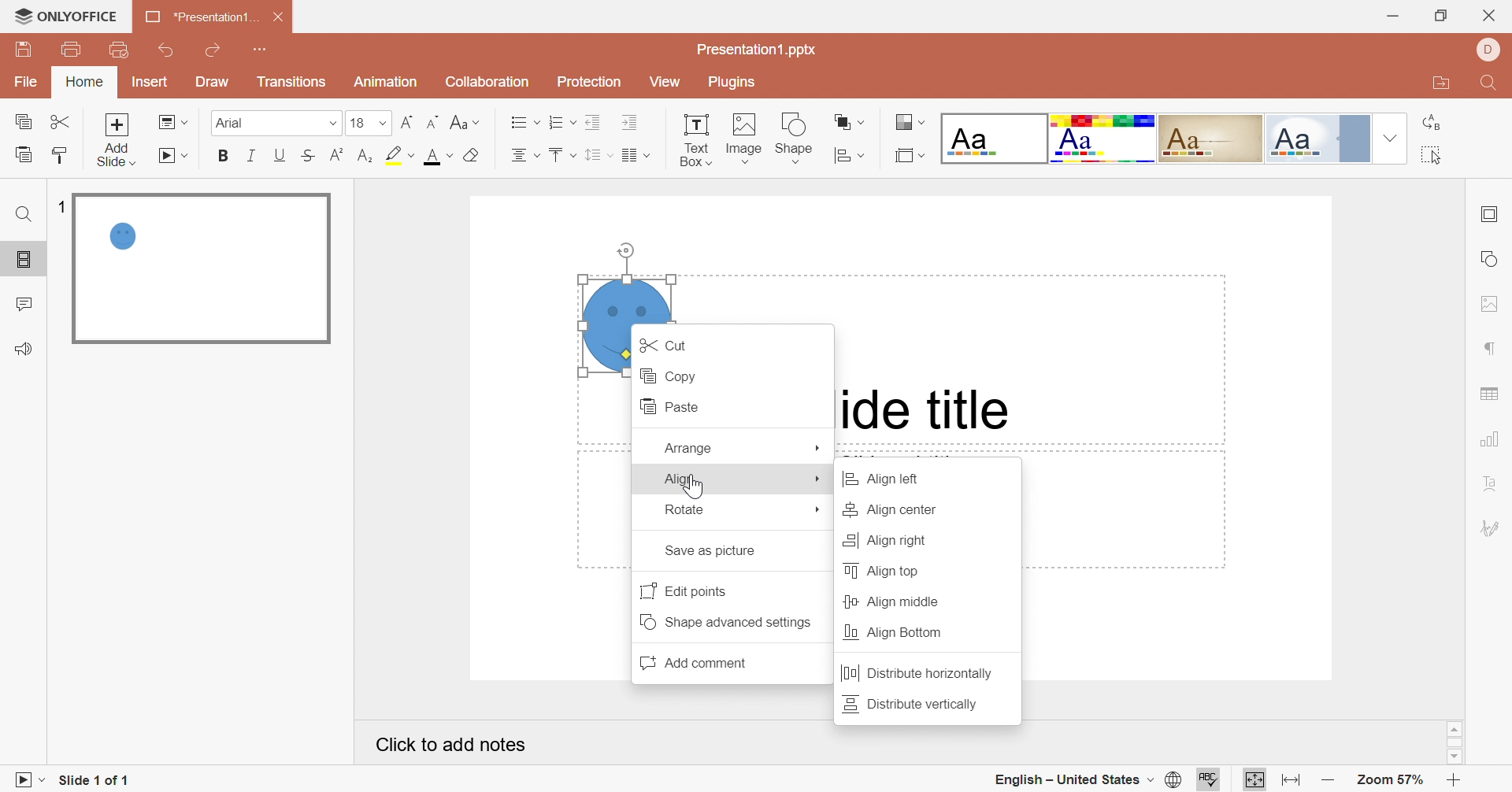  I want to click on Zoom in, so click(1455, 781).